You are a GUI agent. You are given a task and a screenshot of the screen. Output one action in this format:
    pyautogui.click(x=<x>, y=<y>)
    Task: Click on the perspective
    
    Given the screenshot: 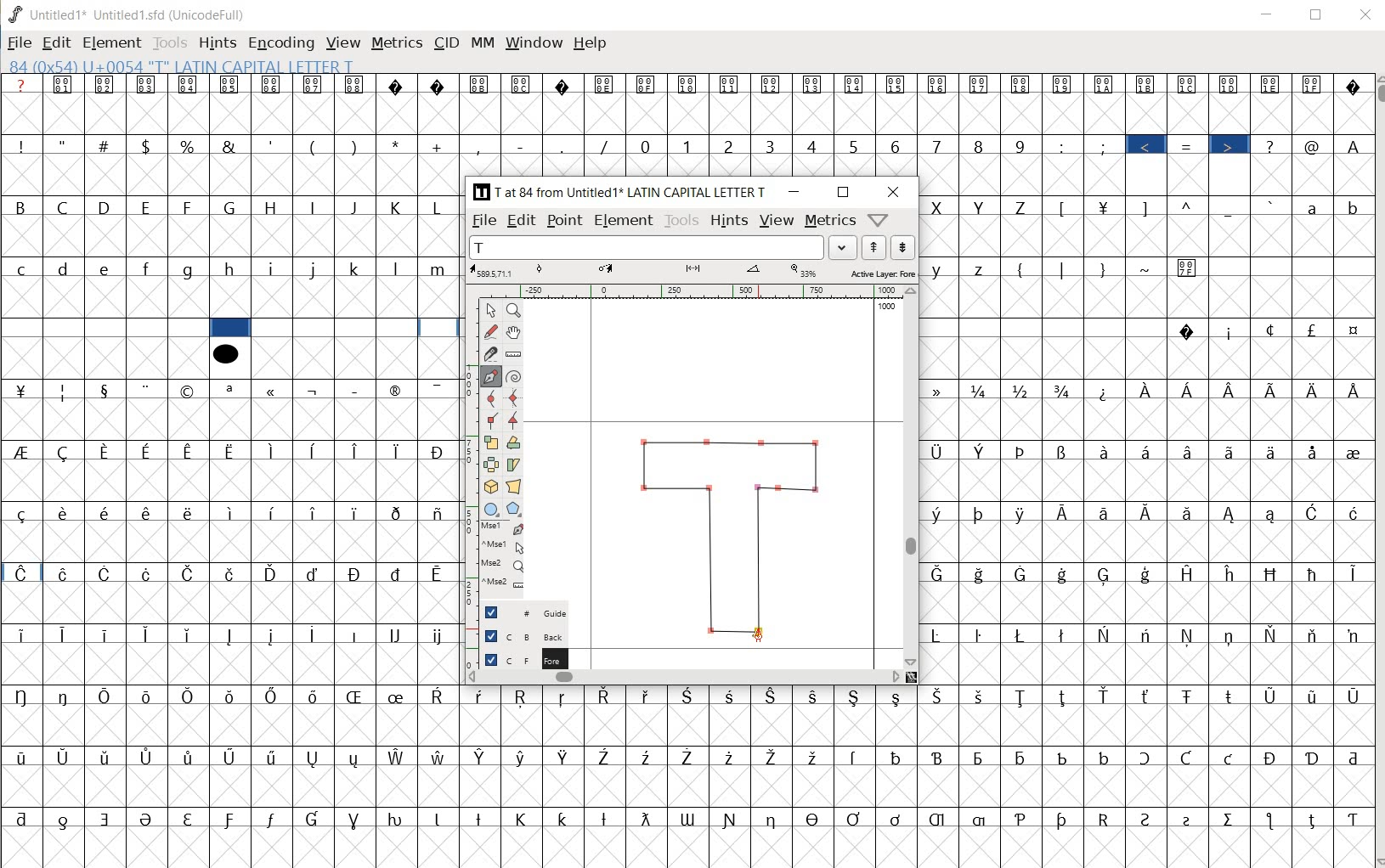 What is the action you would take?
    pyautogui.click(x=514, y=488)
    